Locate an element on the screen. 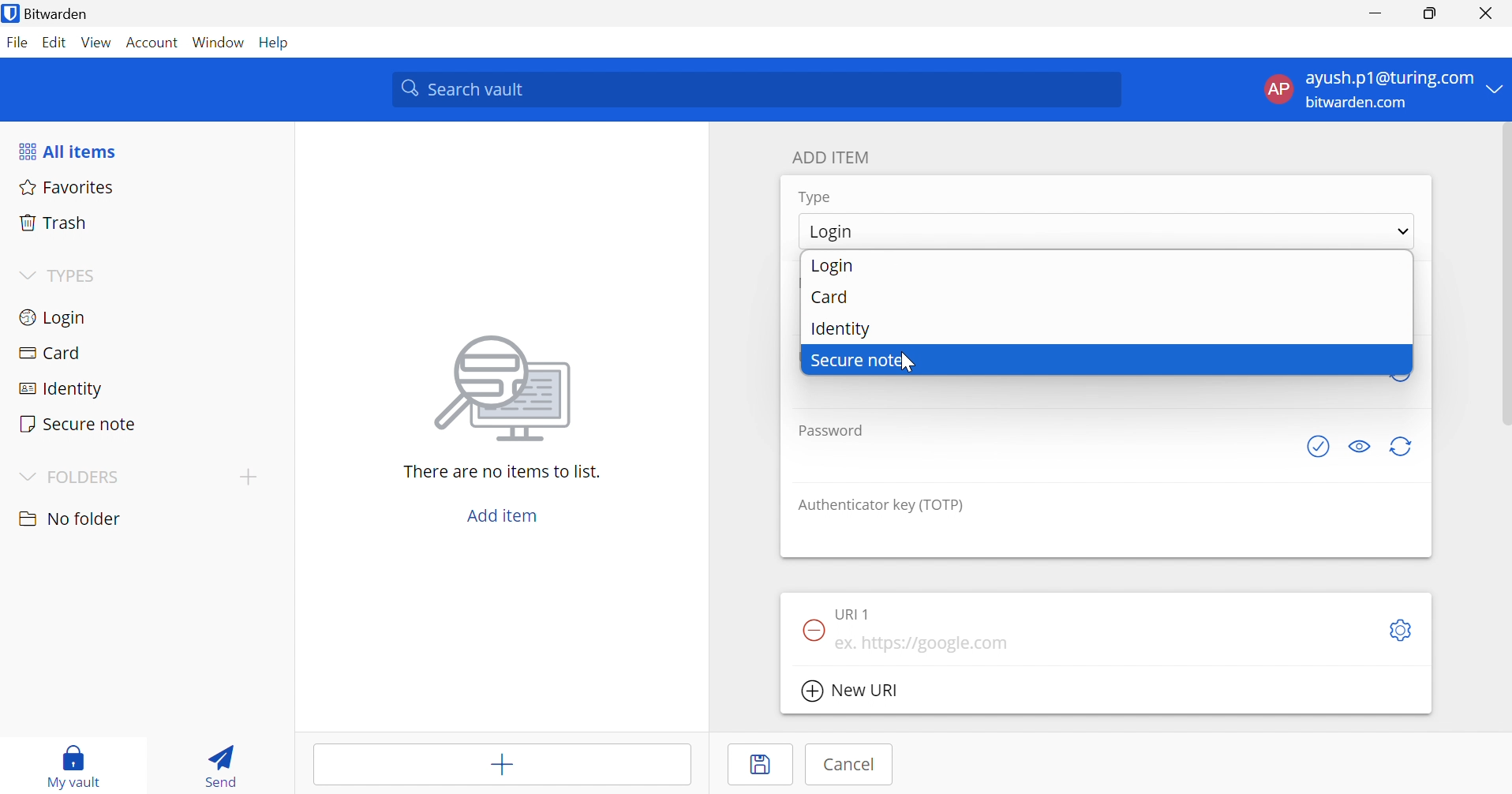  All items is located at coordinates (71, 153).